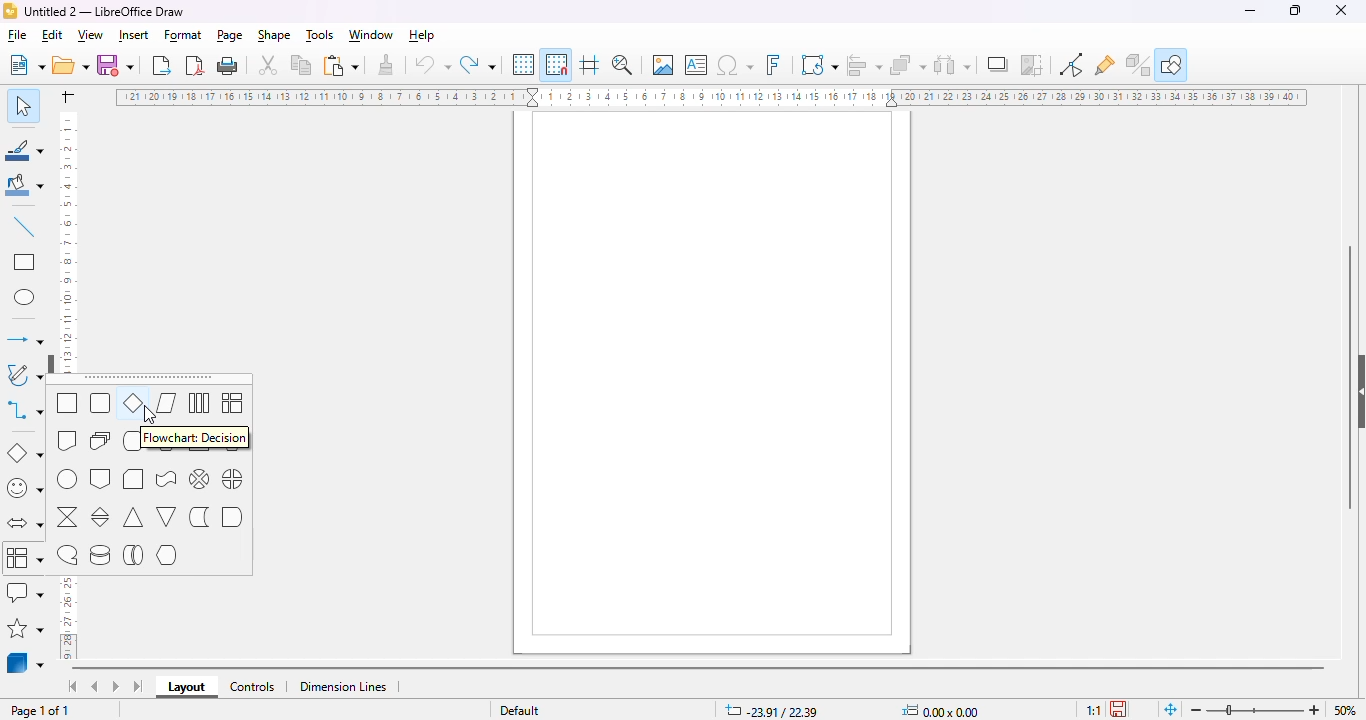 The height and width of the screenshot is (720, 1366). What do you see at coordinates (138, 686) in the screenshot?
I see `scroll to last sheet` at bounding box center [138, 686].